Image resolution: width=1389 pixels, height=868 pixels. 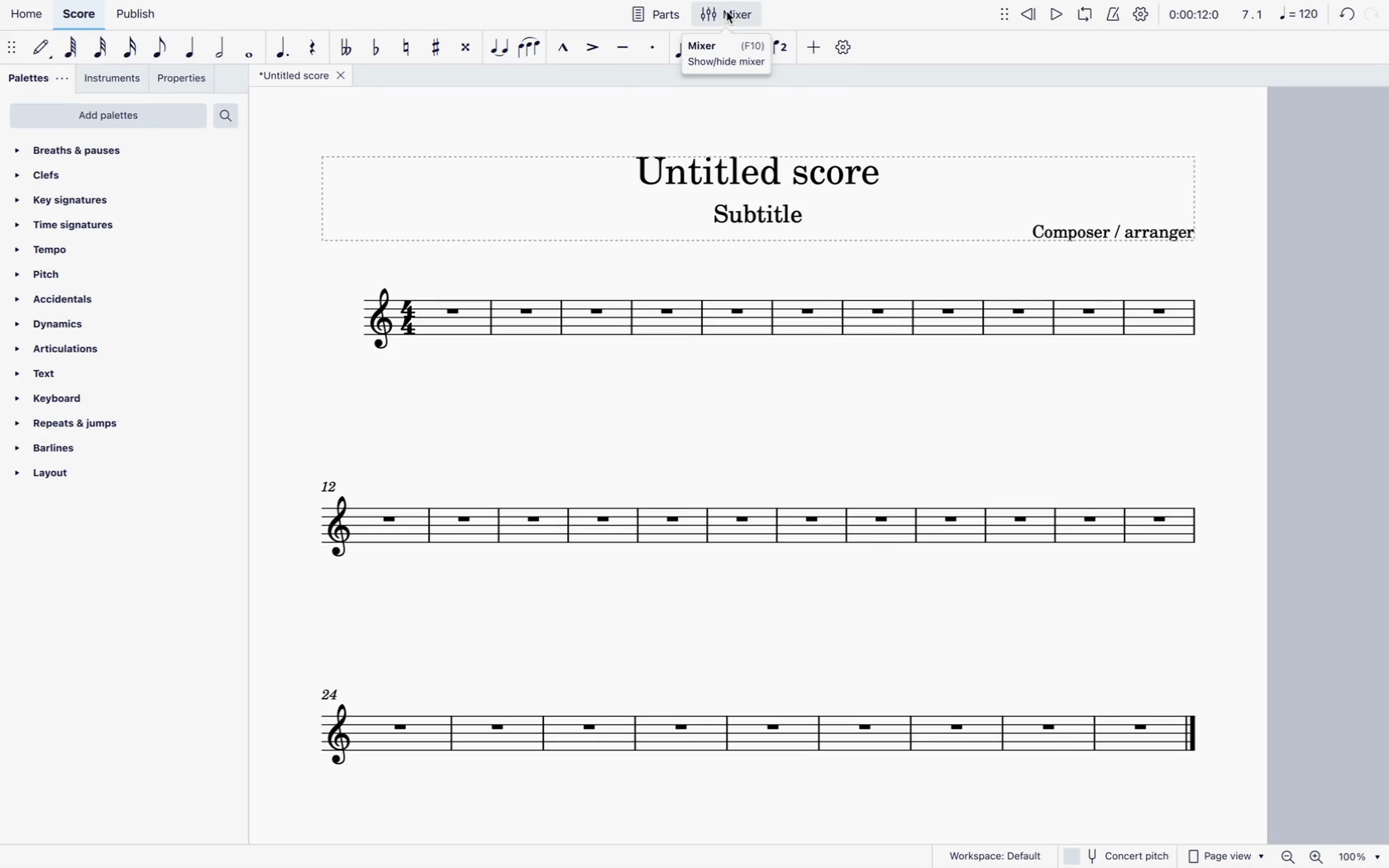 I want to click on score, so click(x=738, y=721).